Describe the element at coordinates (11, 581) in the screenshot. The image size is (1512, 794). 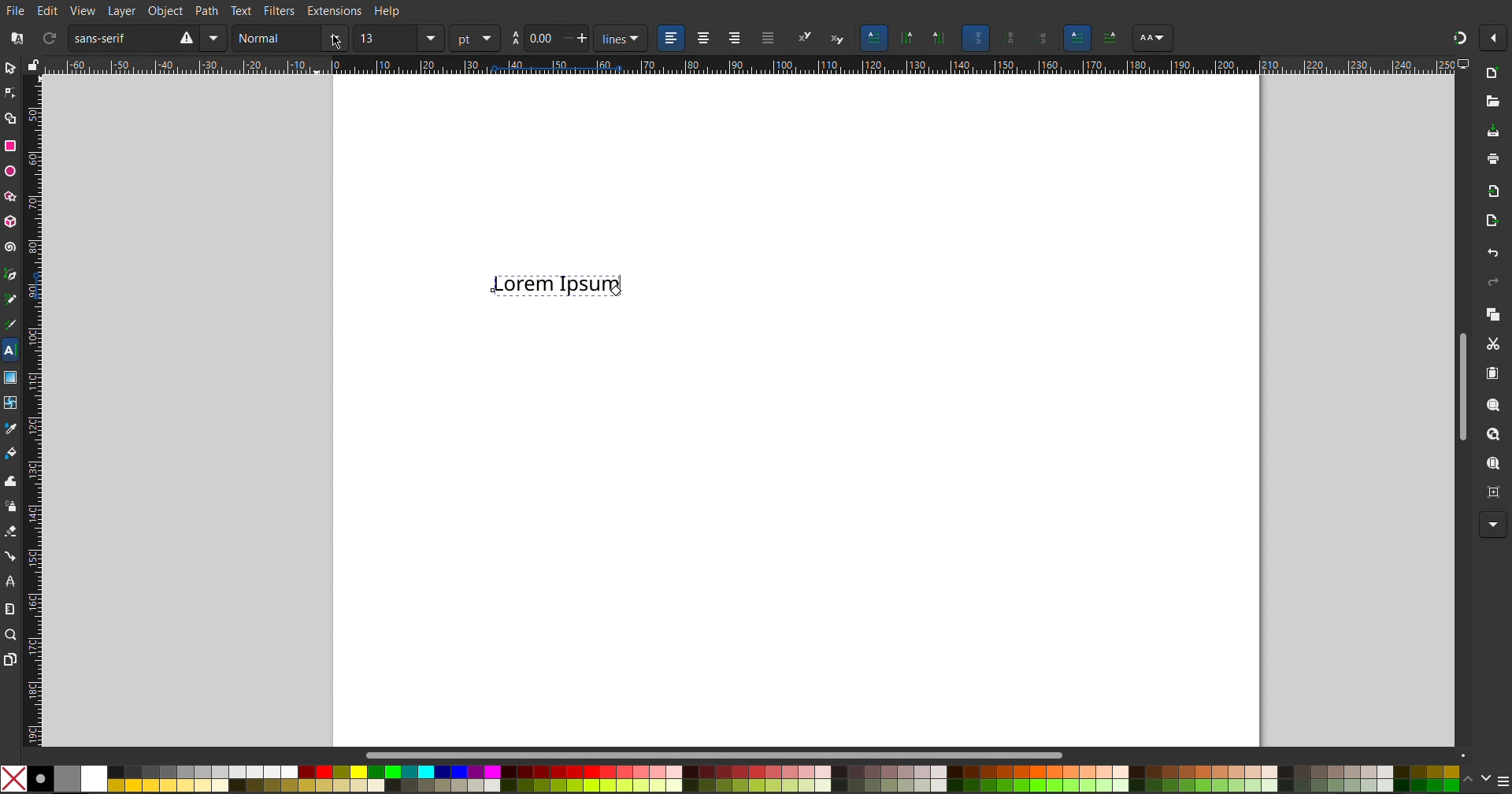
I see `LPE Tool` at that location.